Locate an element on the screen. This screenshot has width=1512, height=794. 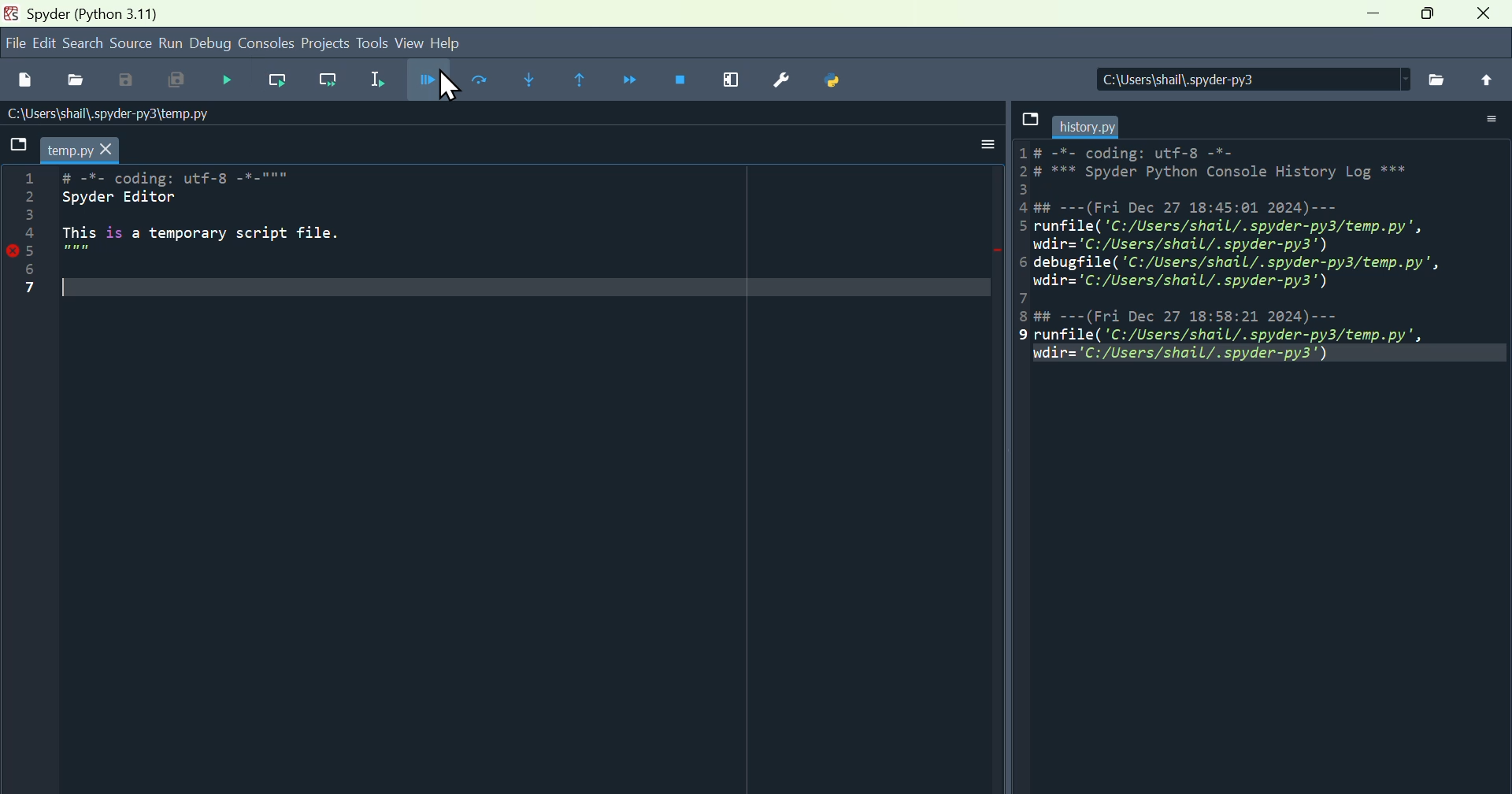
Python path manager is located at coordinates (837, 80).